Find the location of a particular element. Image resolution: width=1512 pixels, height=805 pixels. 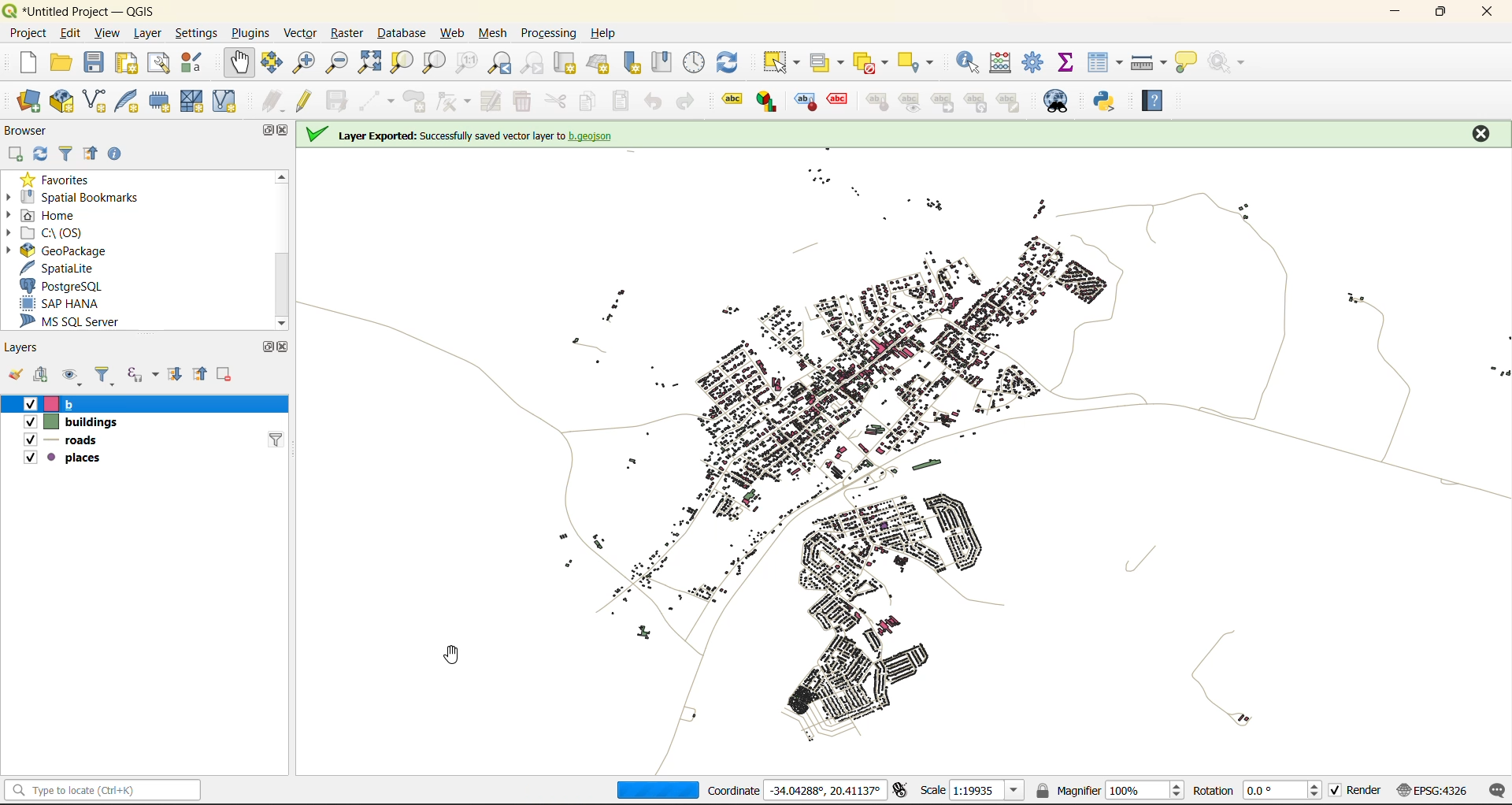

vector is located at coordinates (306, 35).